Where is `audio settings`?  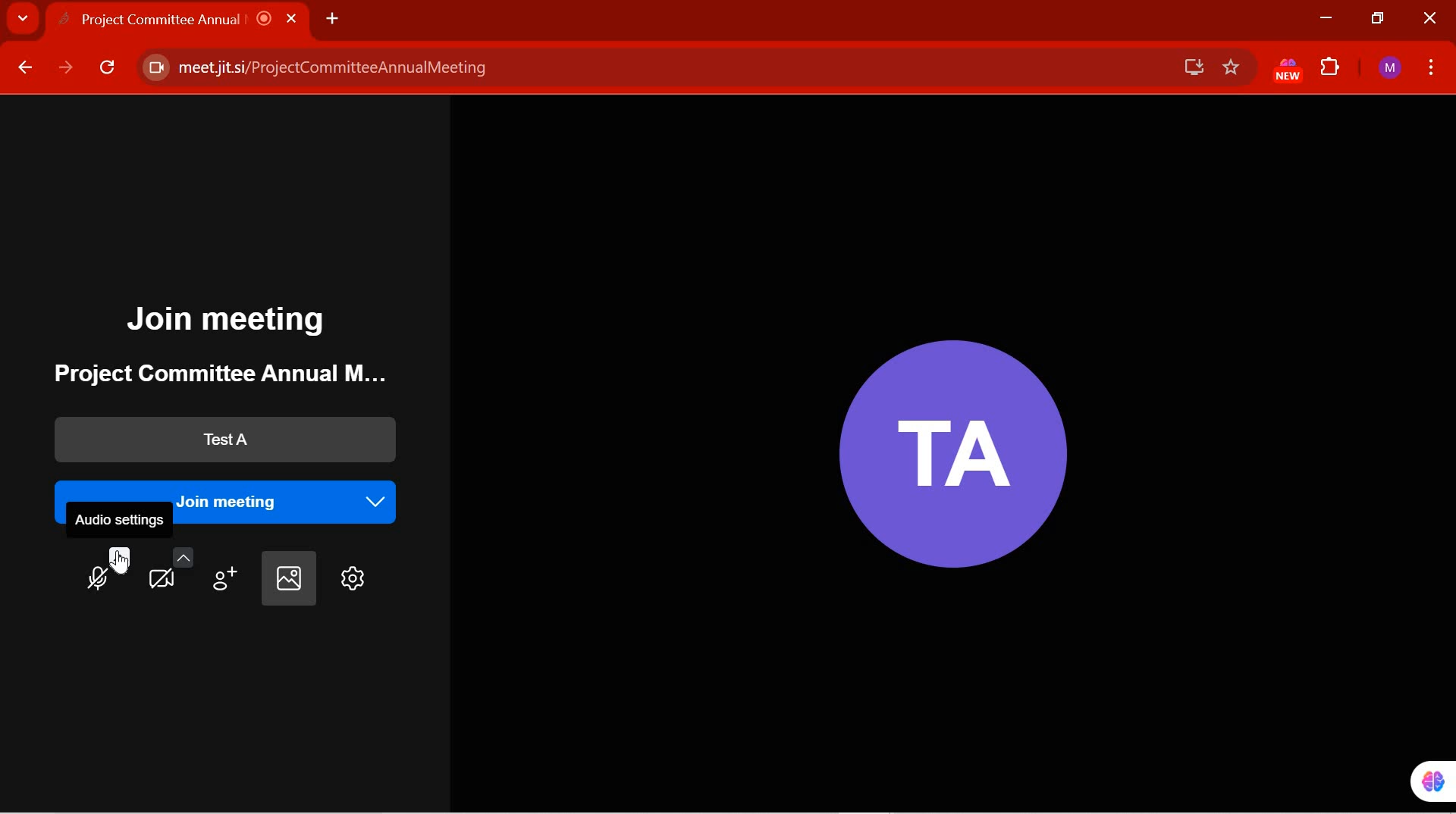
audio settings is located at coordinates (123, 521).